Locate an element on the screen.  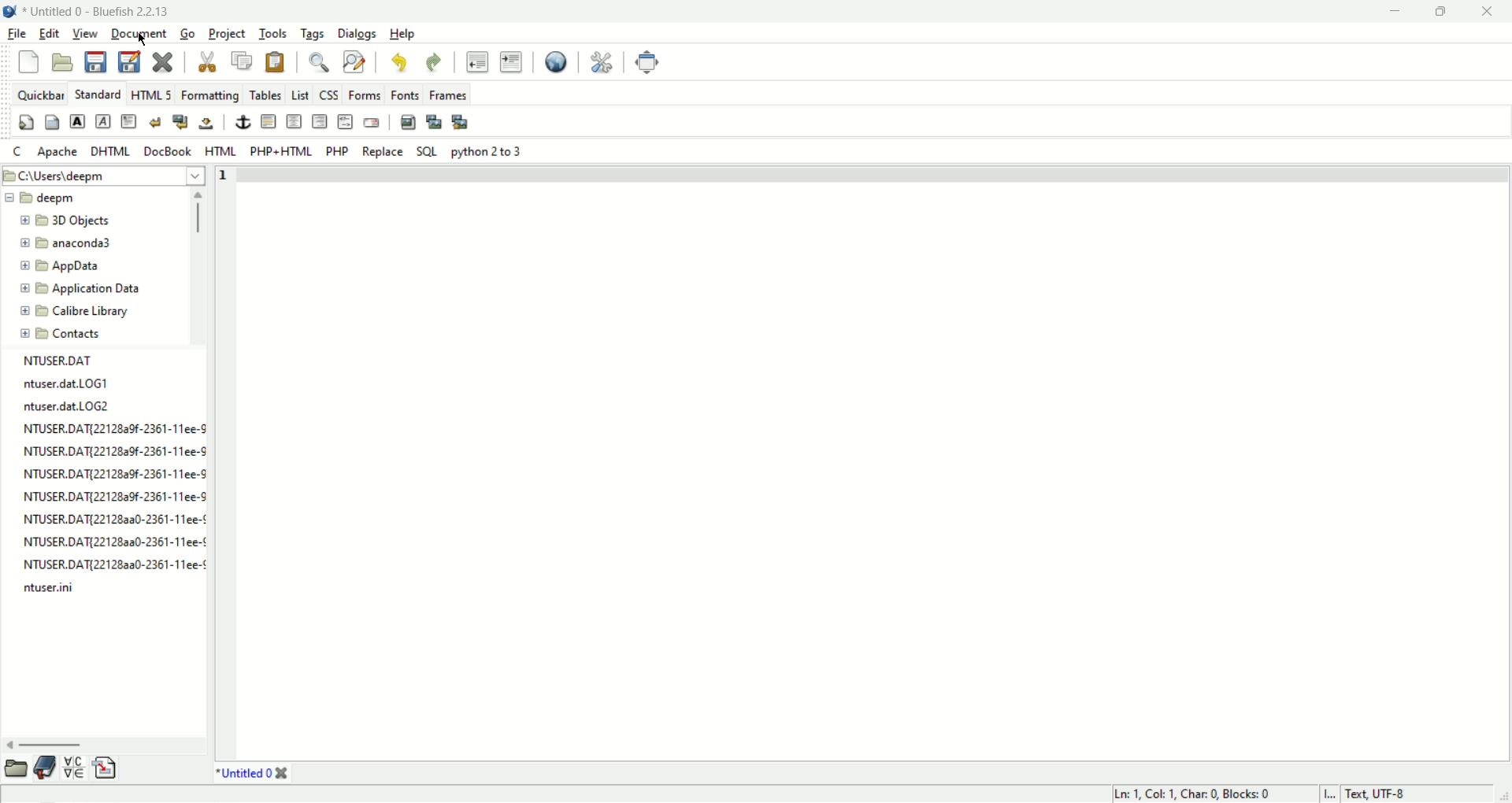
line number is located at coordinates (220, 464).